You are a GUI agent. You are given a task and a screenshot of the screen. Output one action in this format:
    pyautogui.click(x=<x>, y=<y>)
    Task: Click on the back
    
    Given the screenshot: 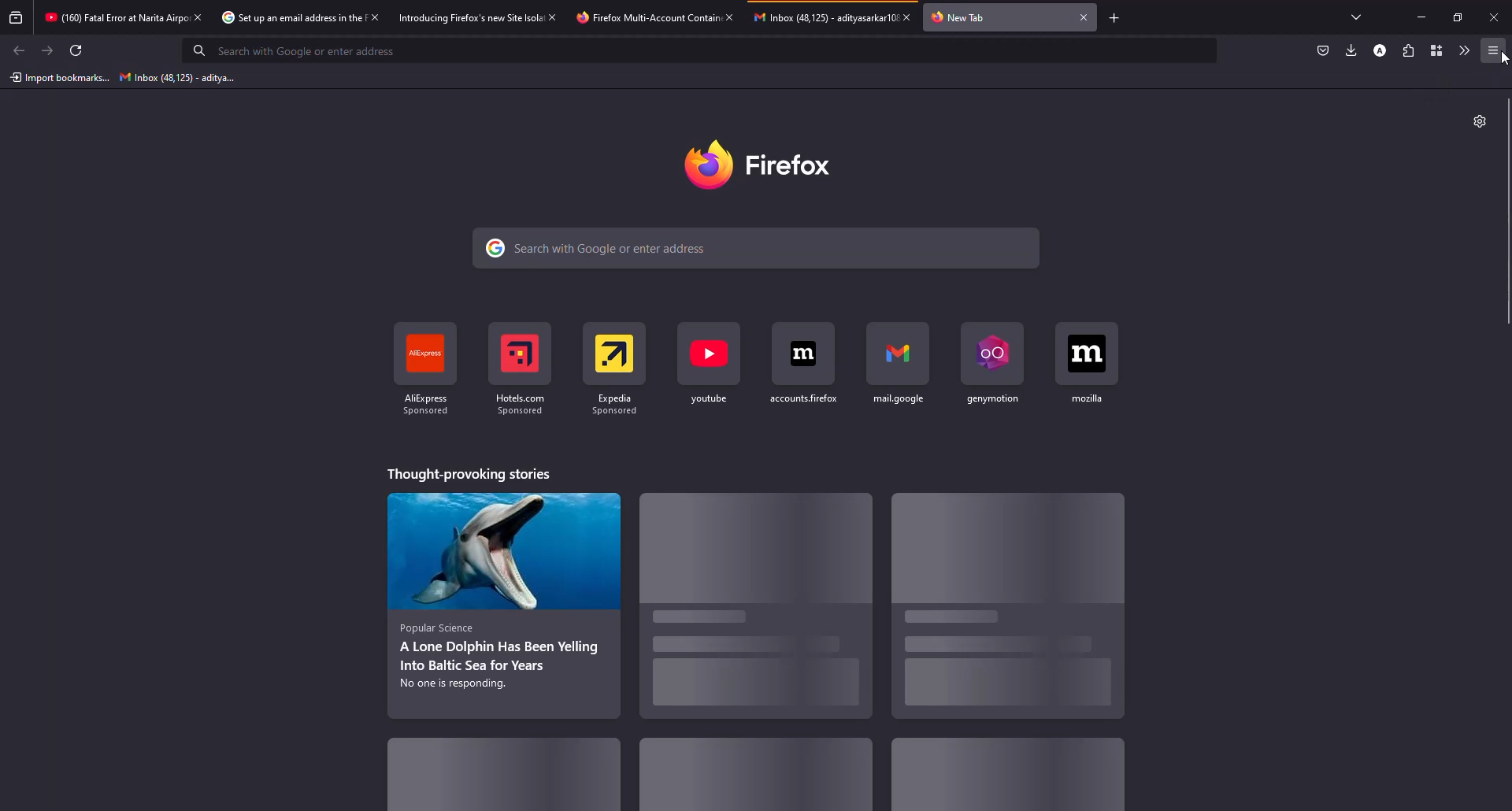 What is the action you would take?
    pyautogui.click(x=19, y=50)
    